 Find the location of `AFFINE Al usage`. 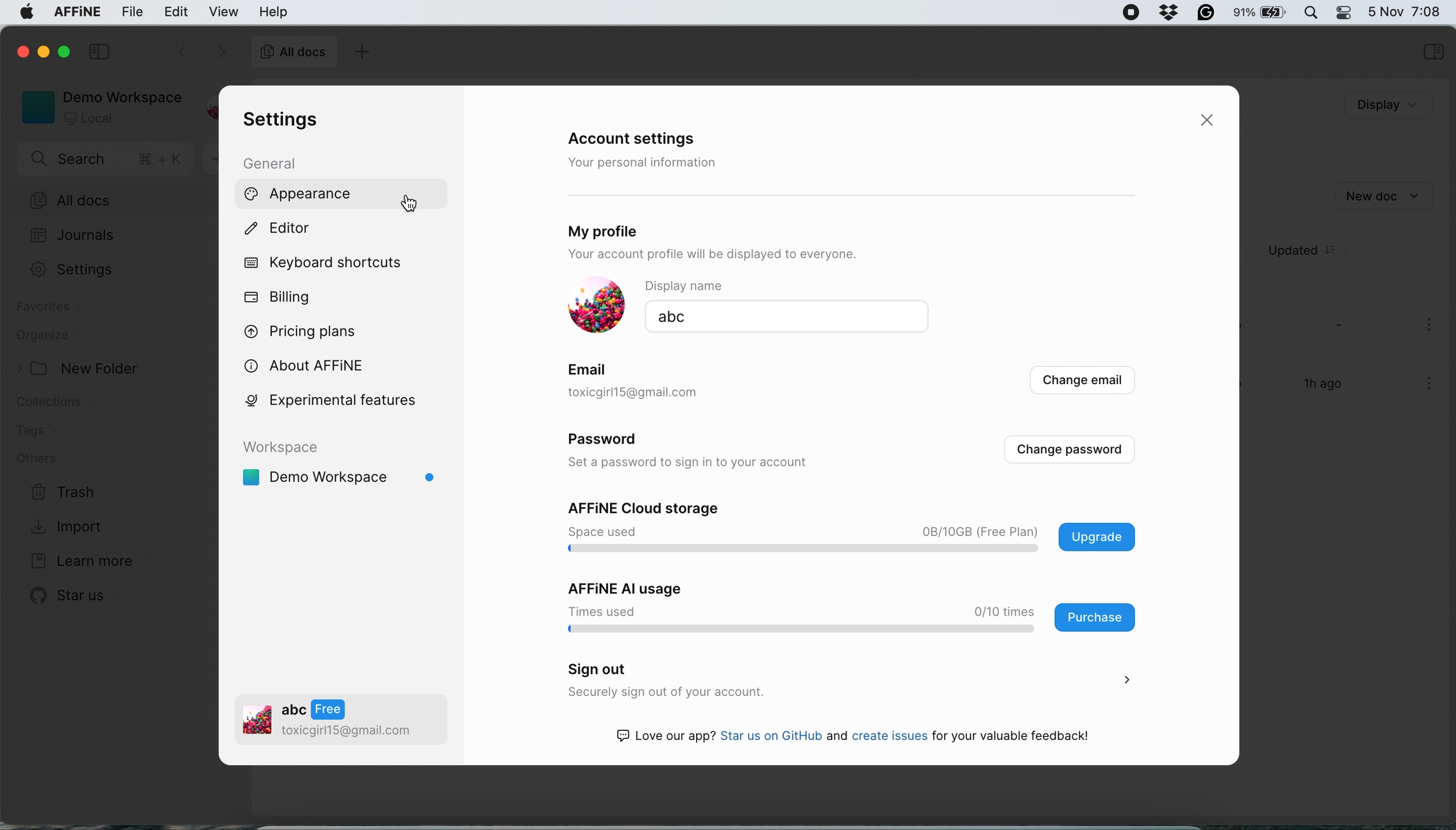

AFFINE Al usage is located at coordinates (627, 588).